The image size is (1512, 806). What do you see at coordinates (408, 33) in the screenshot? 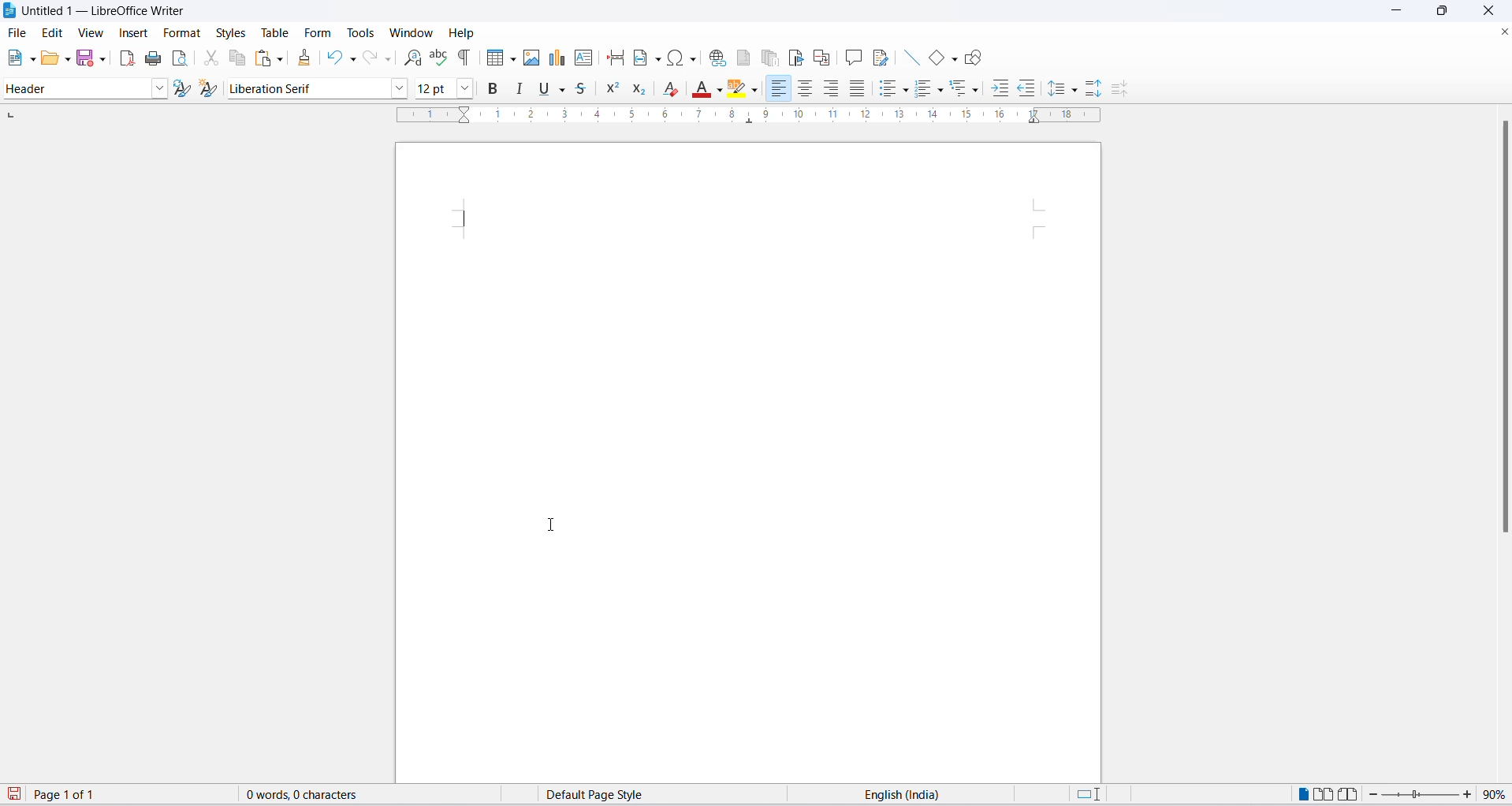
I see `window` at bounding box center [408, 33].